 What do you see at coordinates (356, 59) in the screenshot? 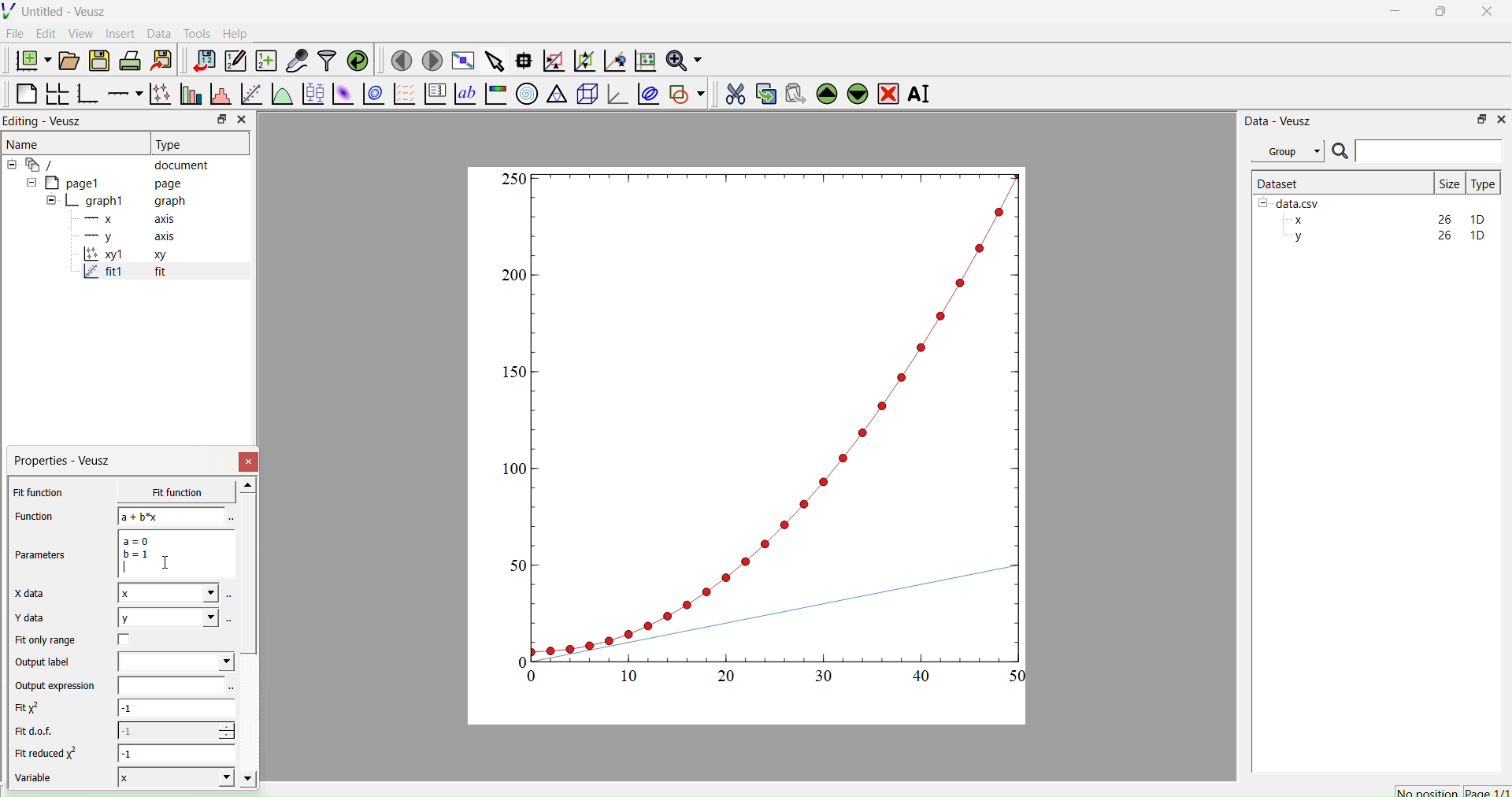
I see `Reload linked dataset` at bounding box center [356, 59].